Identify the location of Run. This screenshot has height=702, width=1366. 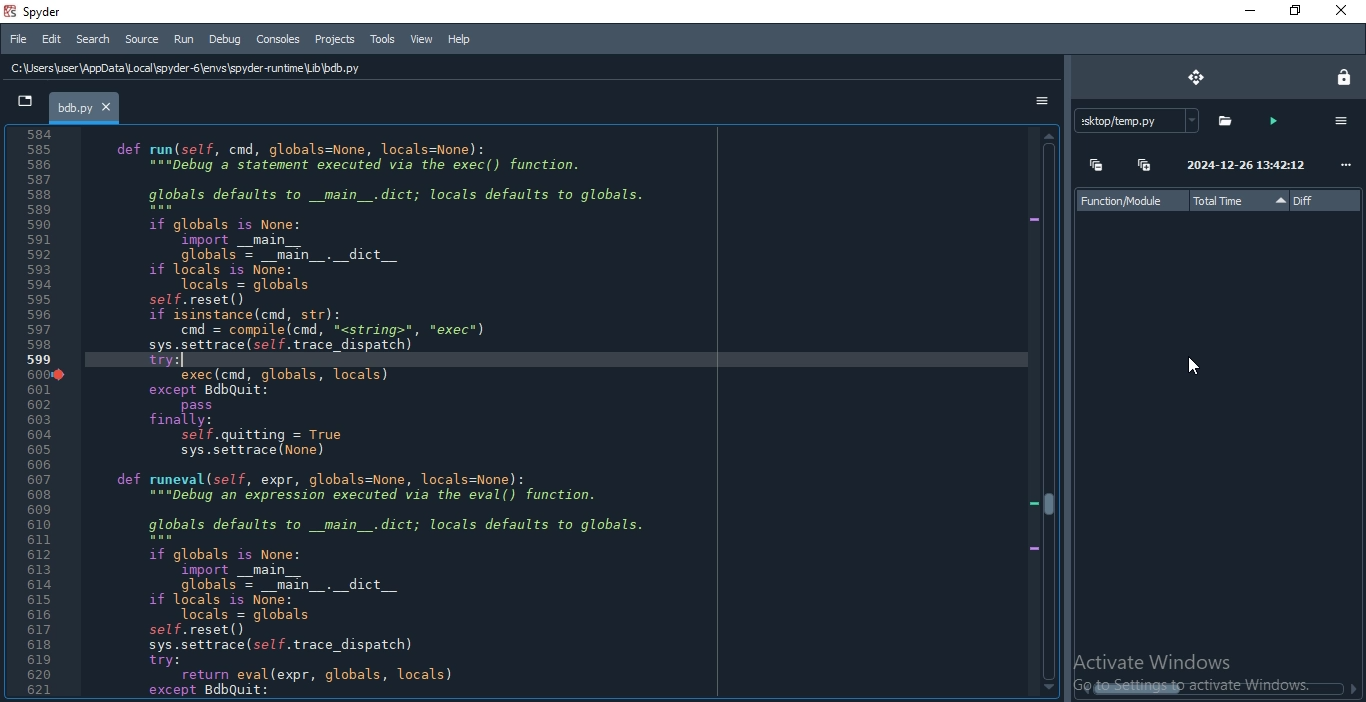
(184, 40).